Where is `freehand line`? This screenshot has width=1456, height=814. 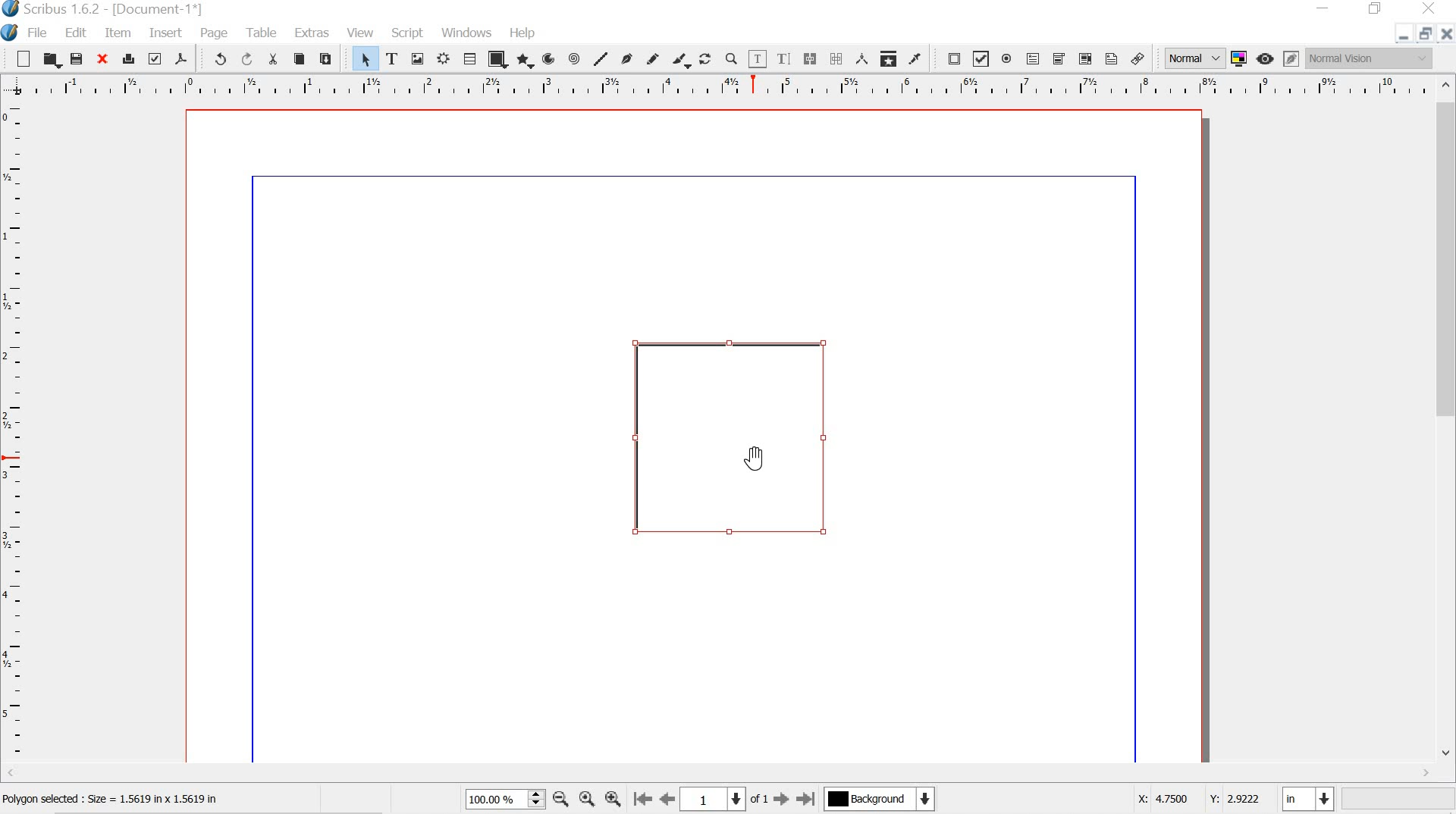 freehand line is located at coordinates (652, 58).